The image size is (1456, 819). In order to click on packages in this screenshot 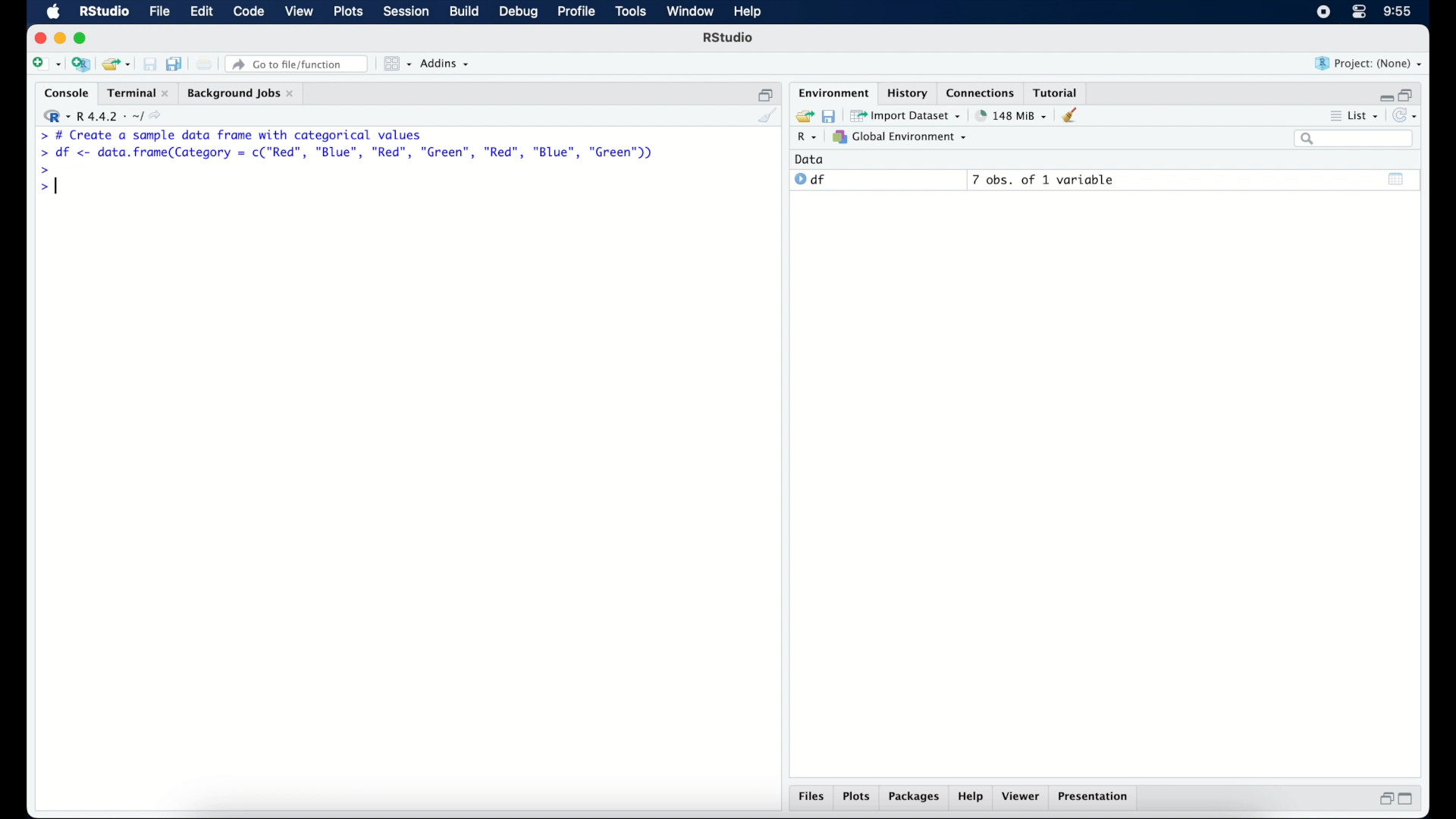, I will do `click(915, 799)`.